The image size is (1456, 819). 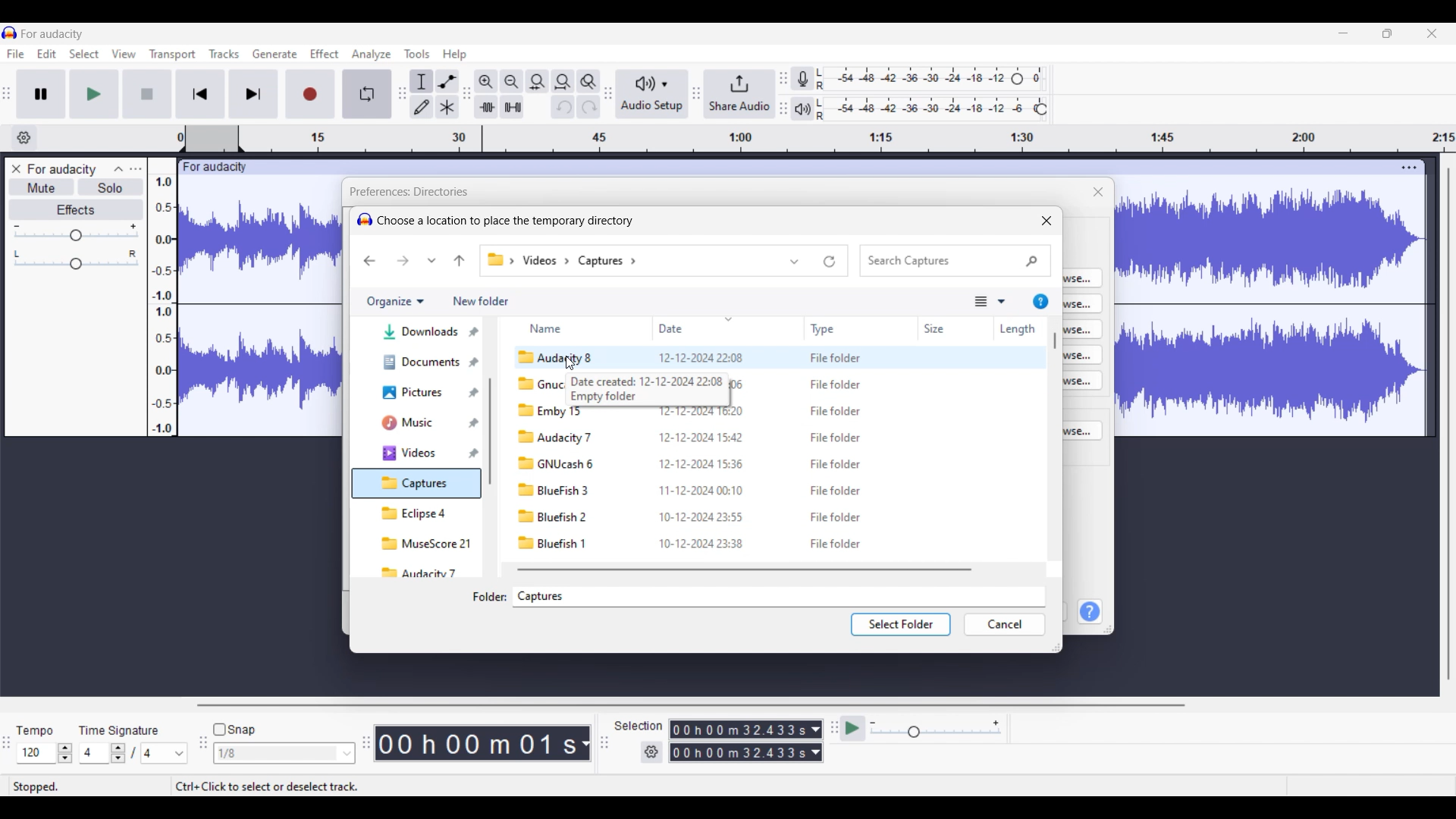 I want to click on Duration measurement, so click(x=816, y=742).